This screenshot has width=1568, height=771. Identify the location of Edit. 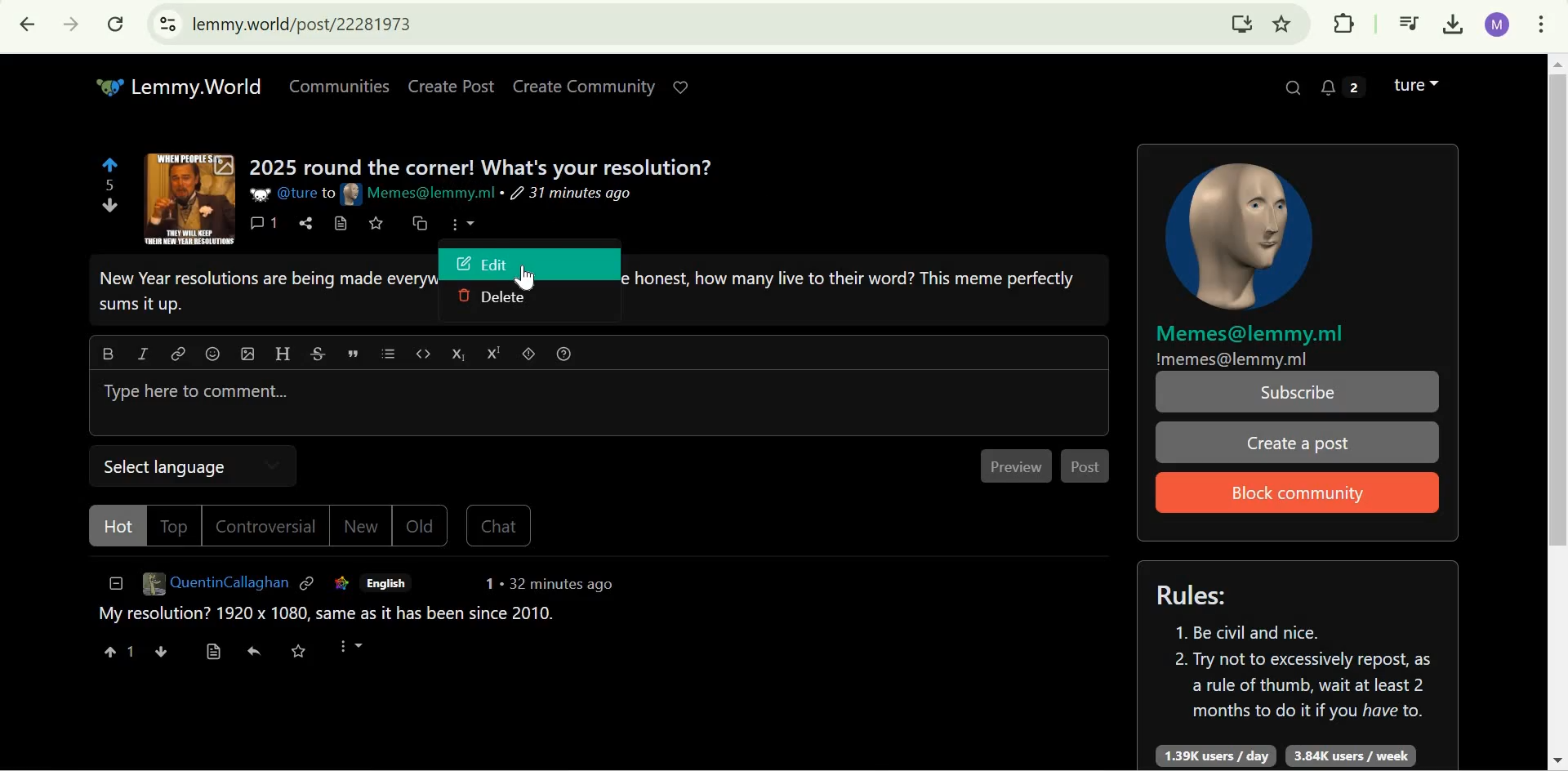
(530, 264).